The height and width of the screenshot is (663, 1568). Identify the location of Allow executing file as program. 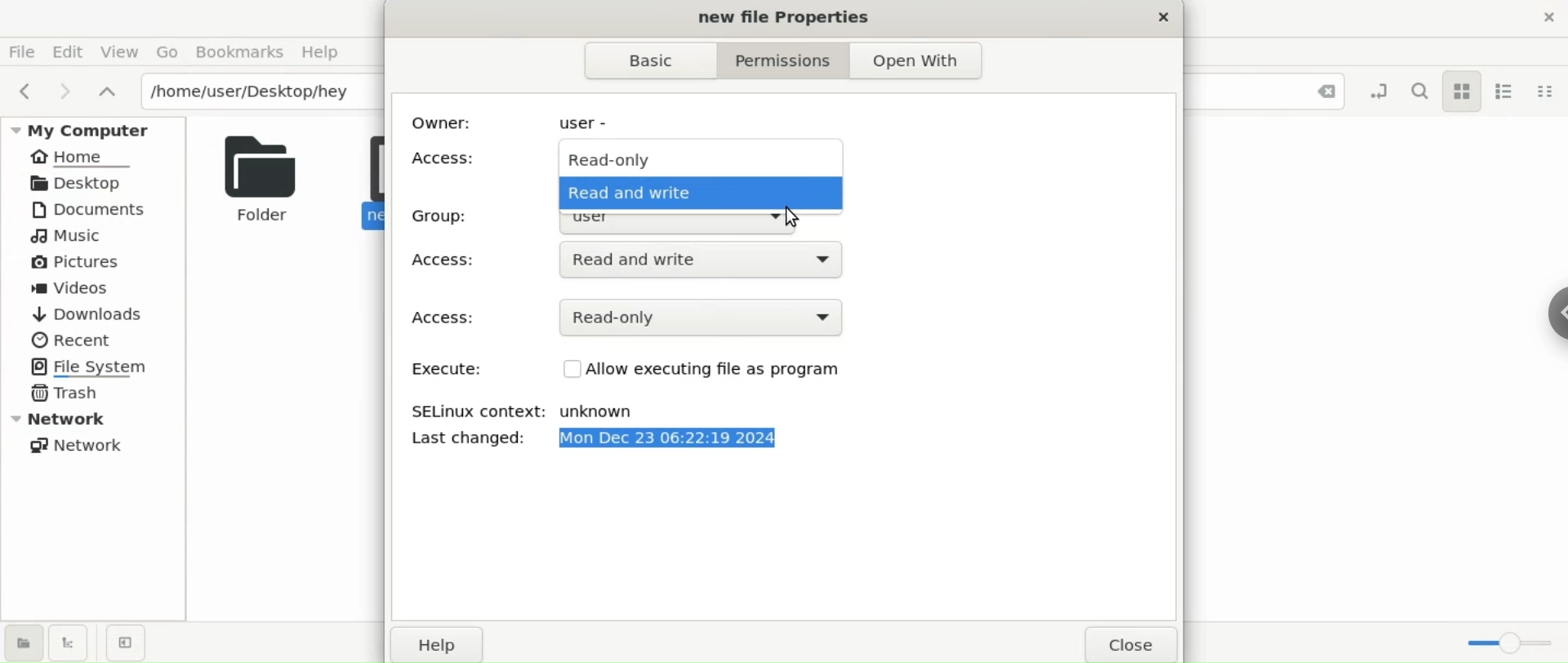
(722, 369).